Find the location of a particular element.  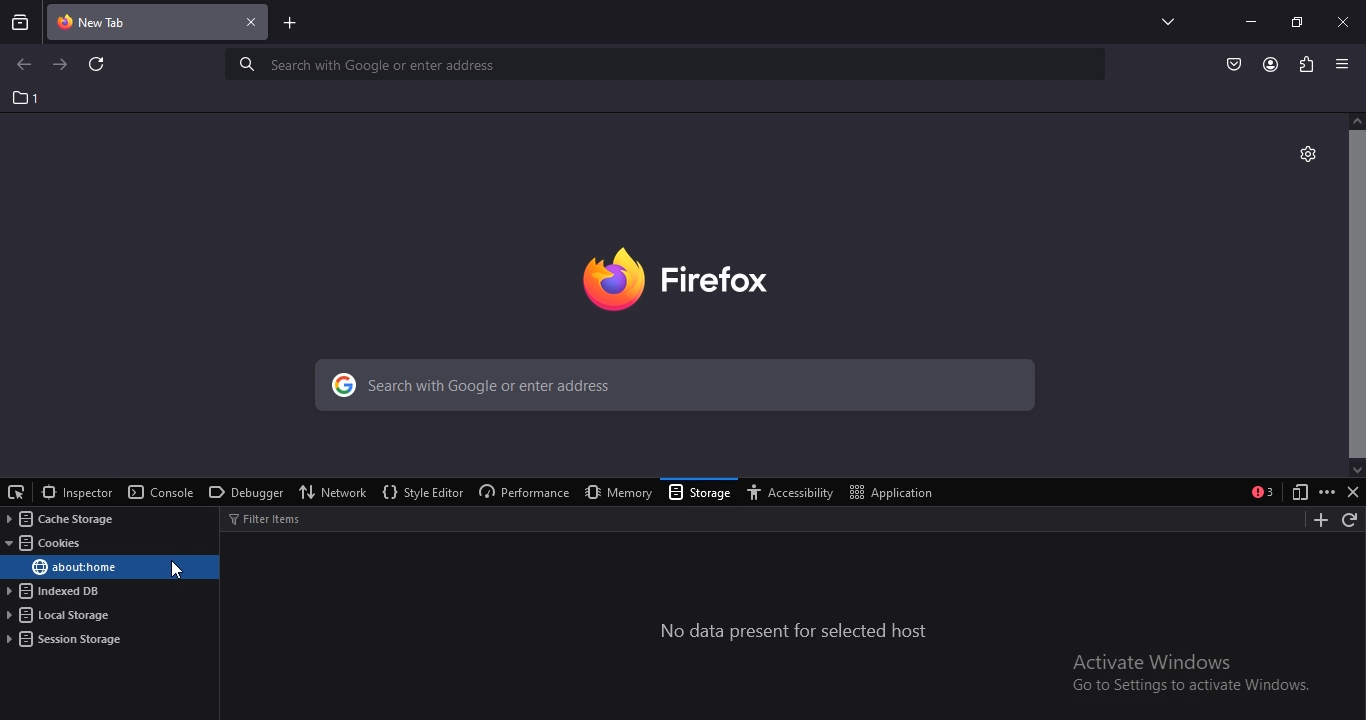

current tab is located at coordinates (159, 24).